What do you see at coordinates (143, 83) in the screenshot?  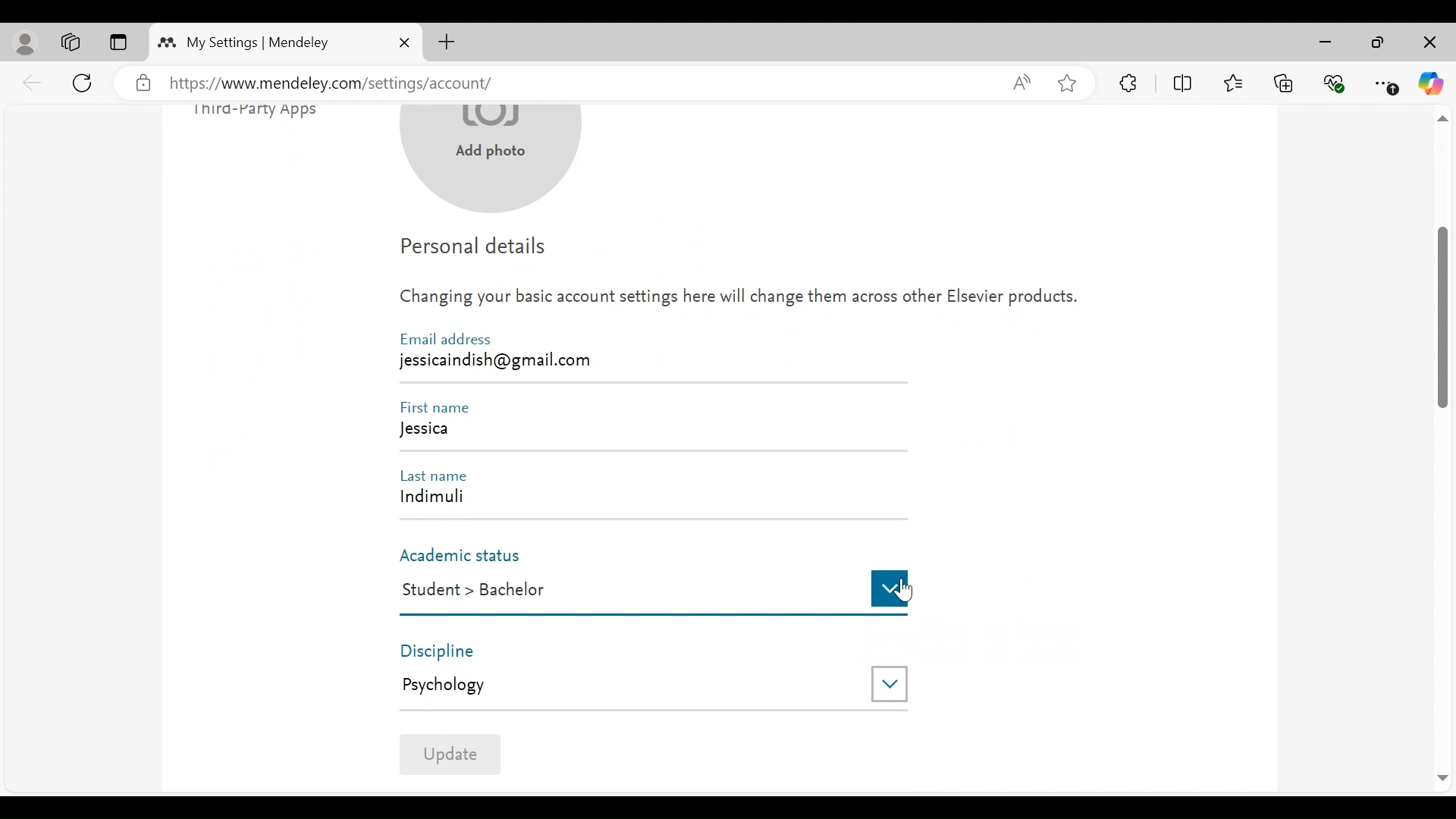 I see `verified` at bounding box center [143, 83].